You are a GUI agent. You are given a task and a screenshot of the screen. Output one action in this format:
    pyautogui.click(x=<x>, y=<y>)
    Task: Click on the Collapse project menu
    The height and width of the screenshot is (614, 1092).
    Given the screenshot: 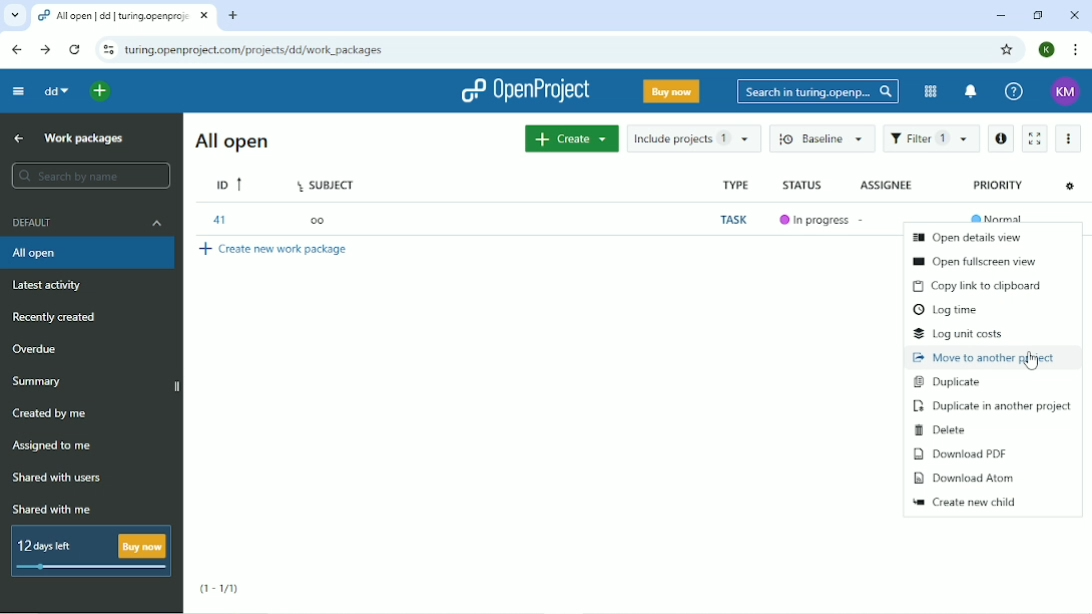 What is the action you would take?
    pyautogui.click(x=18, y=91)
    